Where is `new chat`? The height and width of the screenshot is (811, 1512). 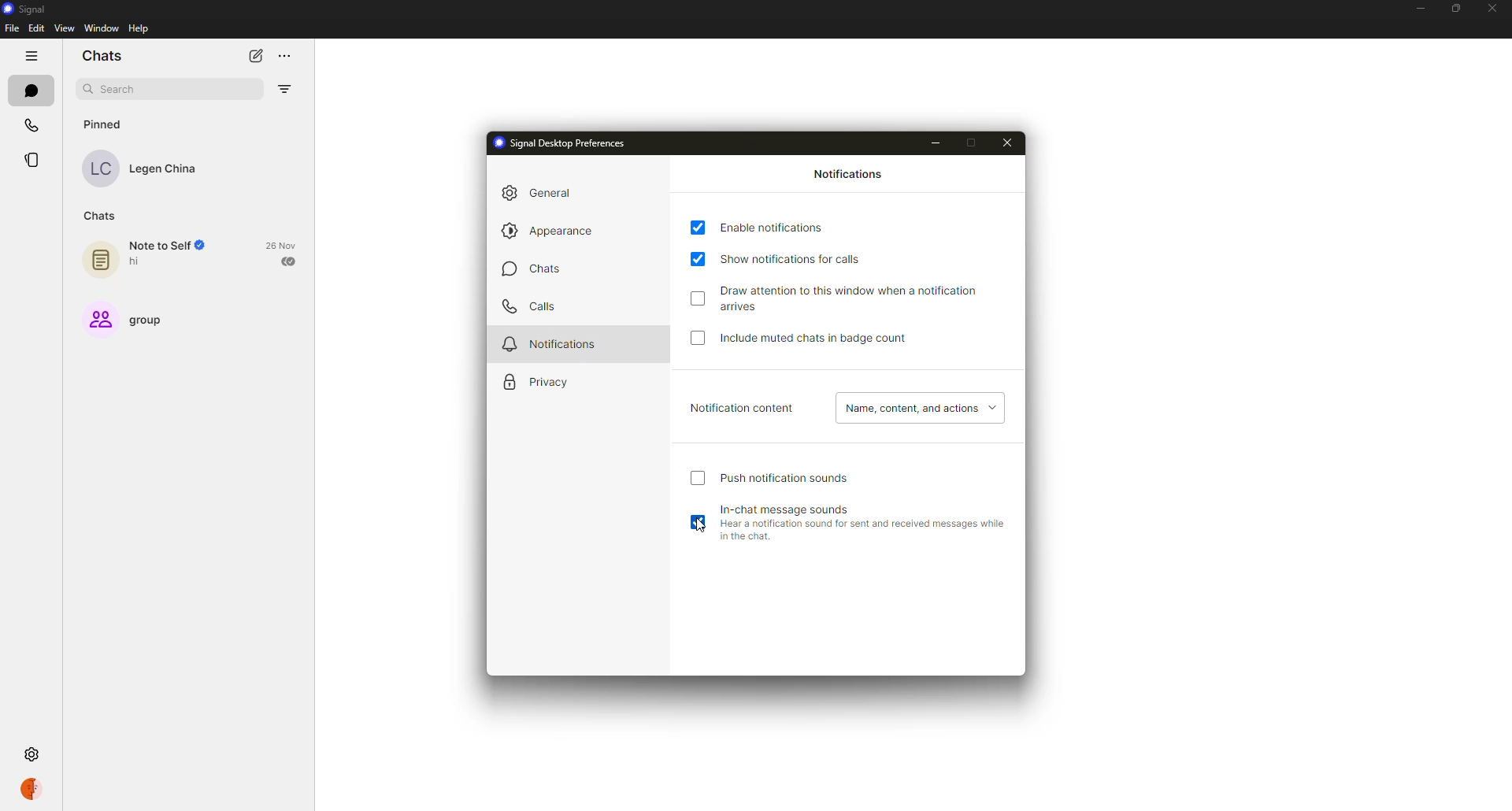 new chat is located at coordinates (255, 57).